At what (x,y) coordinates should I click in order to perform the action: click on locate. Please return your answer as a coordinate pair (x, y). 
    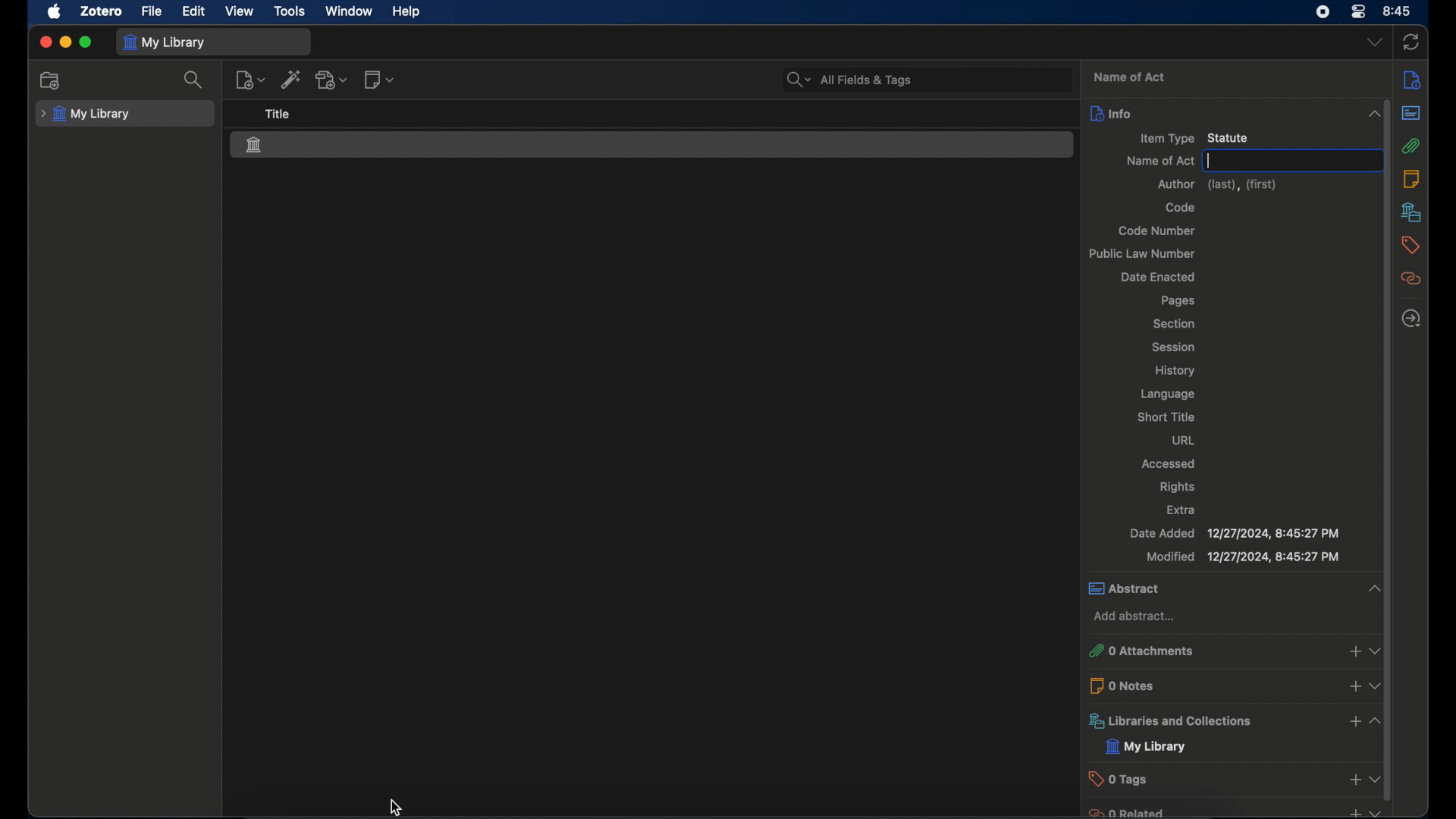
    Looking at the image, I should click on (1411, 319).